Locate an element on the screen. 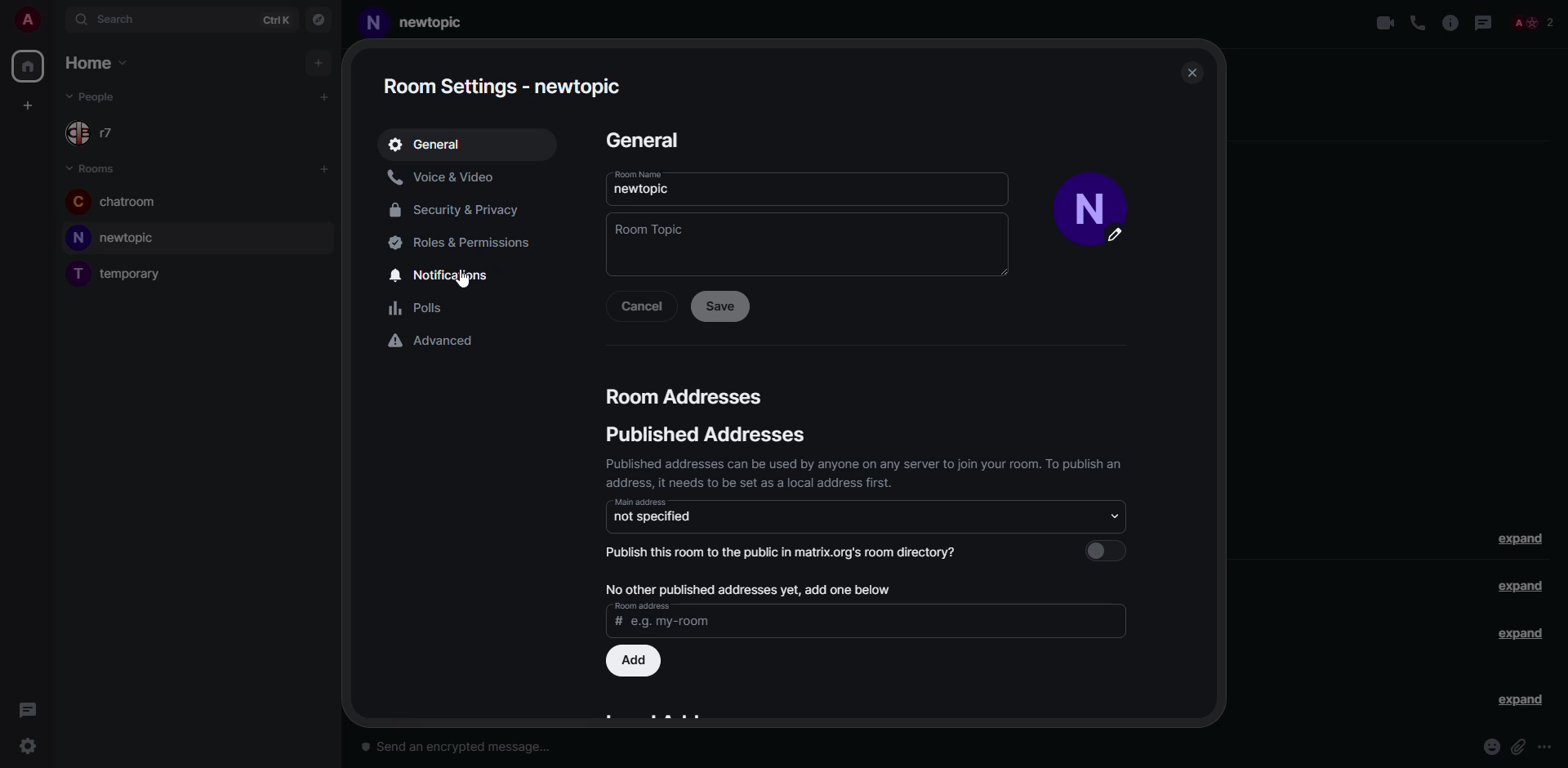 The width and height of the screenshot is (1568, 768). video is located at coordinates (1387, 23).